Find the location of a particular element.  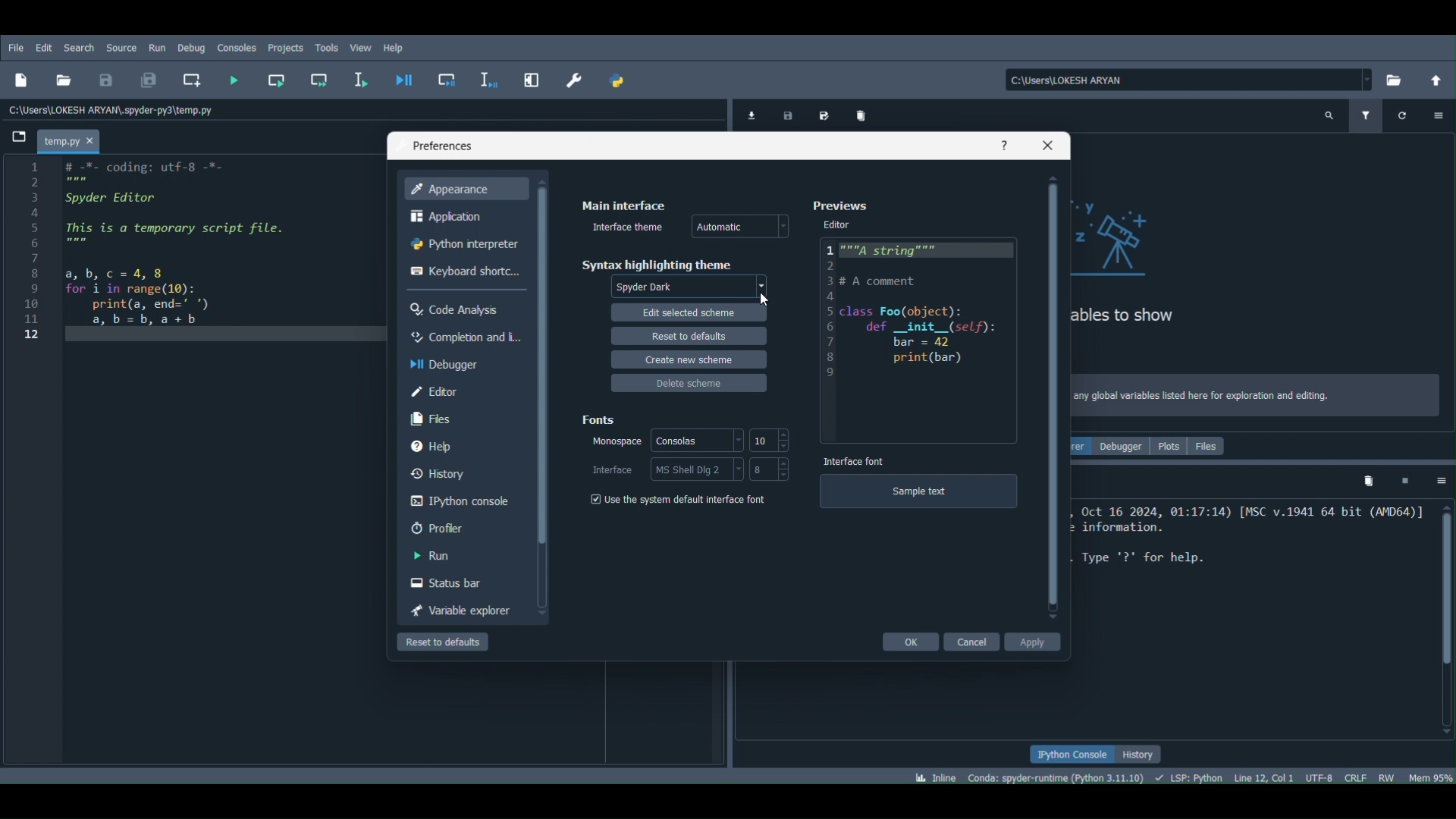

Click to toggle between inline and interactive Matplotlib plotting is located at coordinates (938, 773).